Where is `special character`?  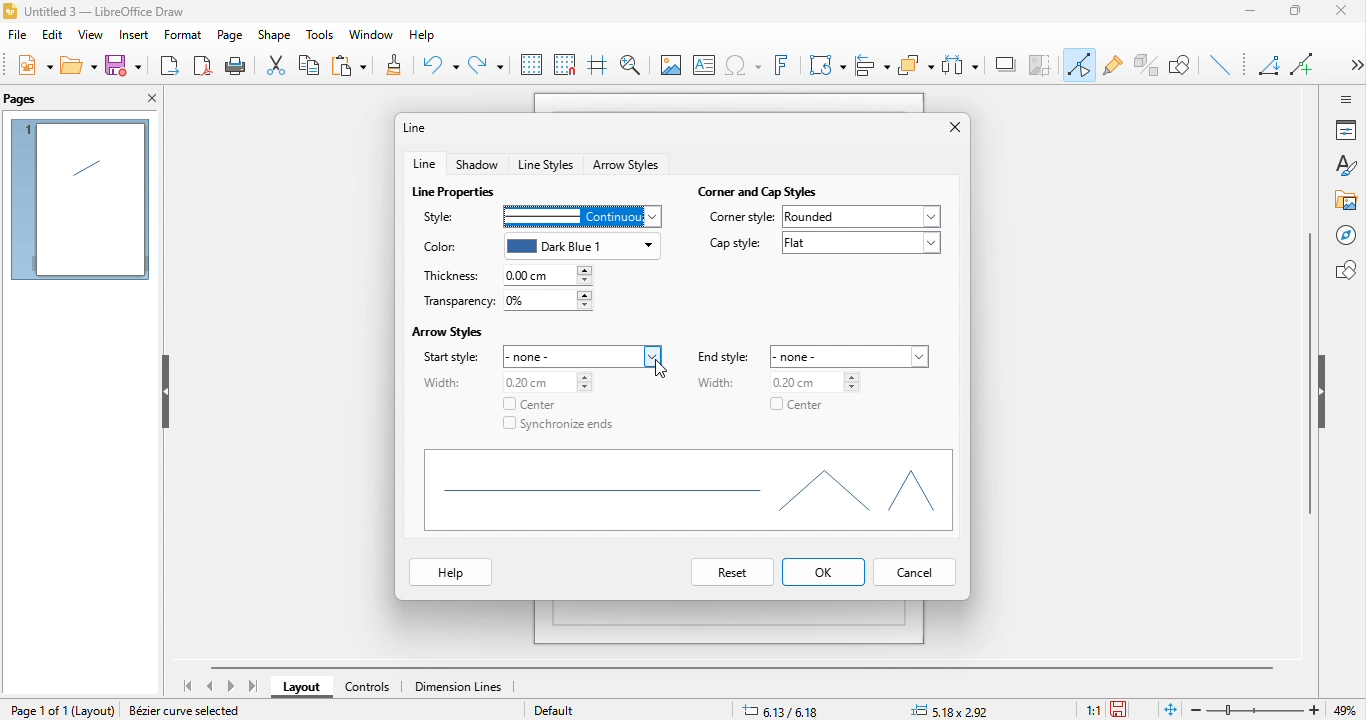
special character is located at coordinates (746, 67).